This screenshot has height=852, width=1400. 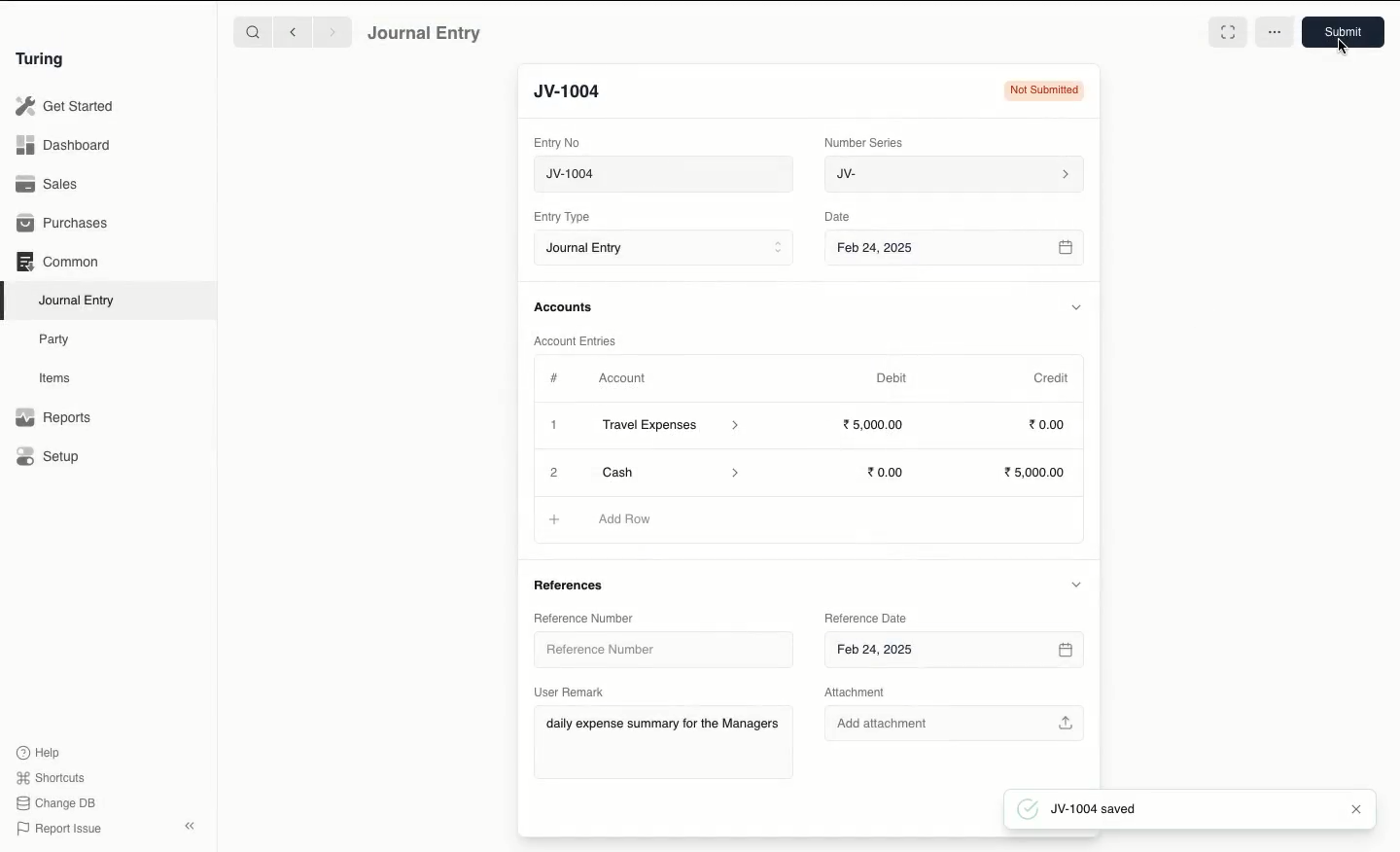 I want to click on Attachment, so click(x=864, y=692).